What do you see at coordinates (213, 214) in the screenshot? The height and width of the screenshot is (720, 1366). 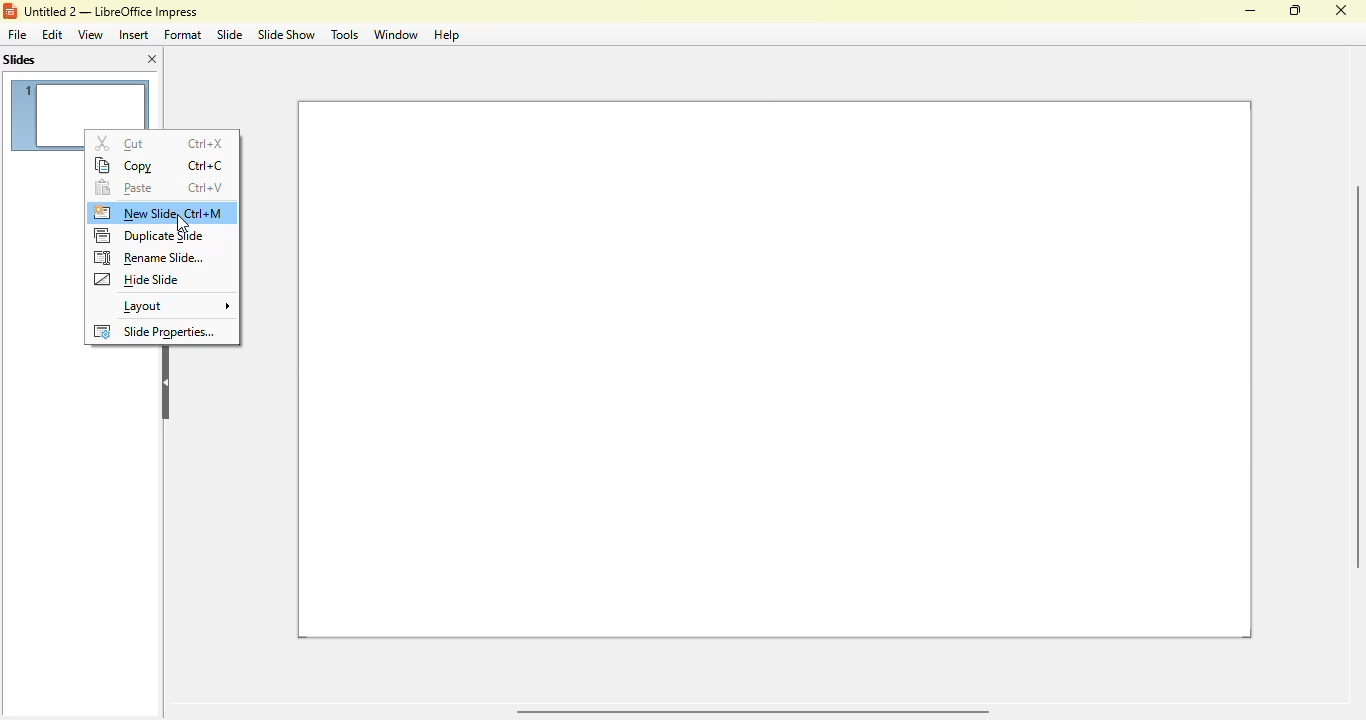 I see `shortcut for new slide` at bounding box center [213, 214].